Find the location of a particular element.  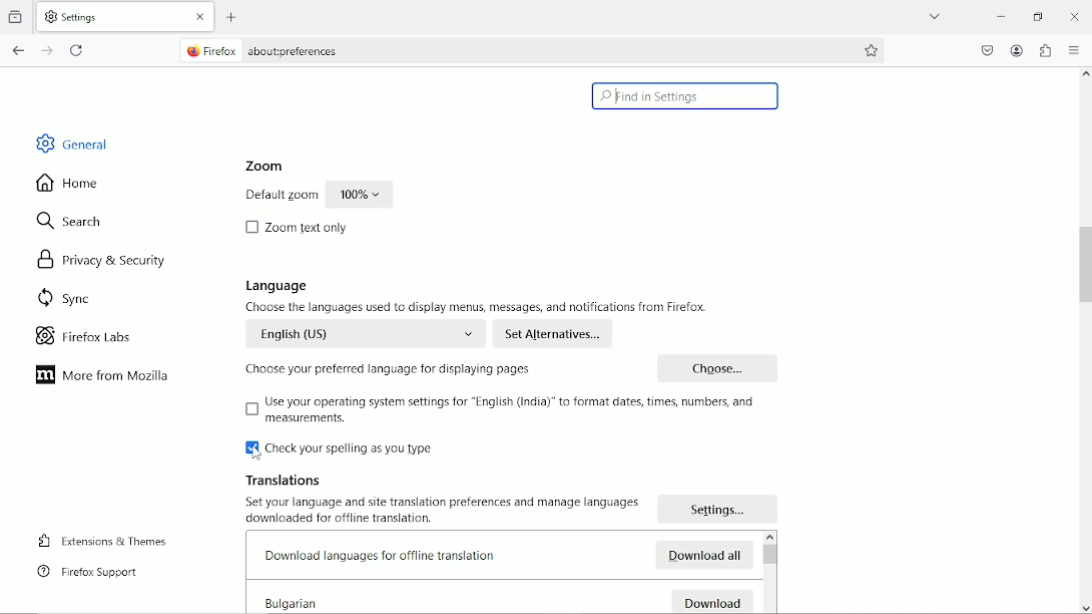

scroll up is located at coordinates (770, 537).